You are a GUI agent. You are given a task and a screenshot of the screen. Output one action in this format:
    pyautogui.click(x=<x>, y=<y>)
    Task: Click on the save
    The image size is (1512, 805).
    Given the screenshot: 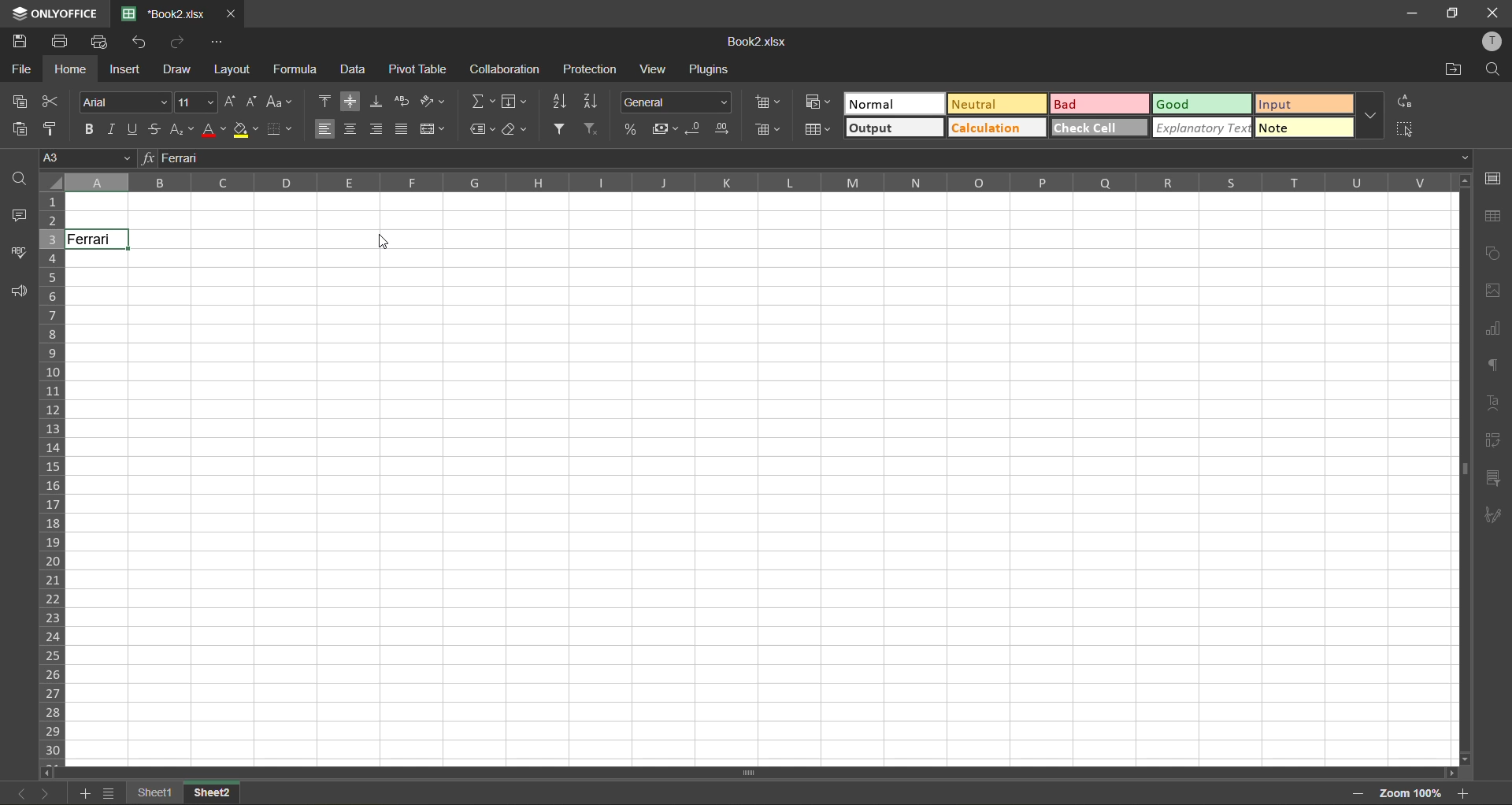 What is the action you would take?
    pyautogui.click(x=21, y=42)
    